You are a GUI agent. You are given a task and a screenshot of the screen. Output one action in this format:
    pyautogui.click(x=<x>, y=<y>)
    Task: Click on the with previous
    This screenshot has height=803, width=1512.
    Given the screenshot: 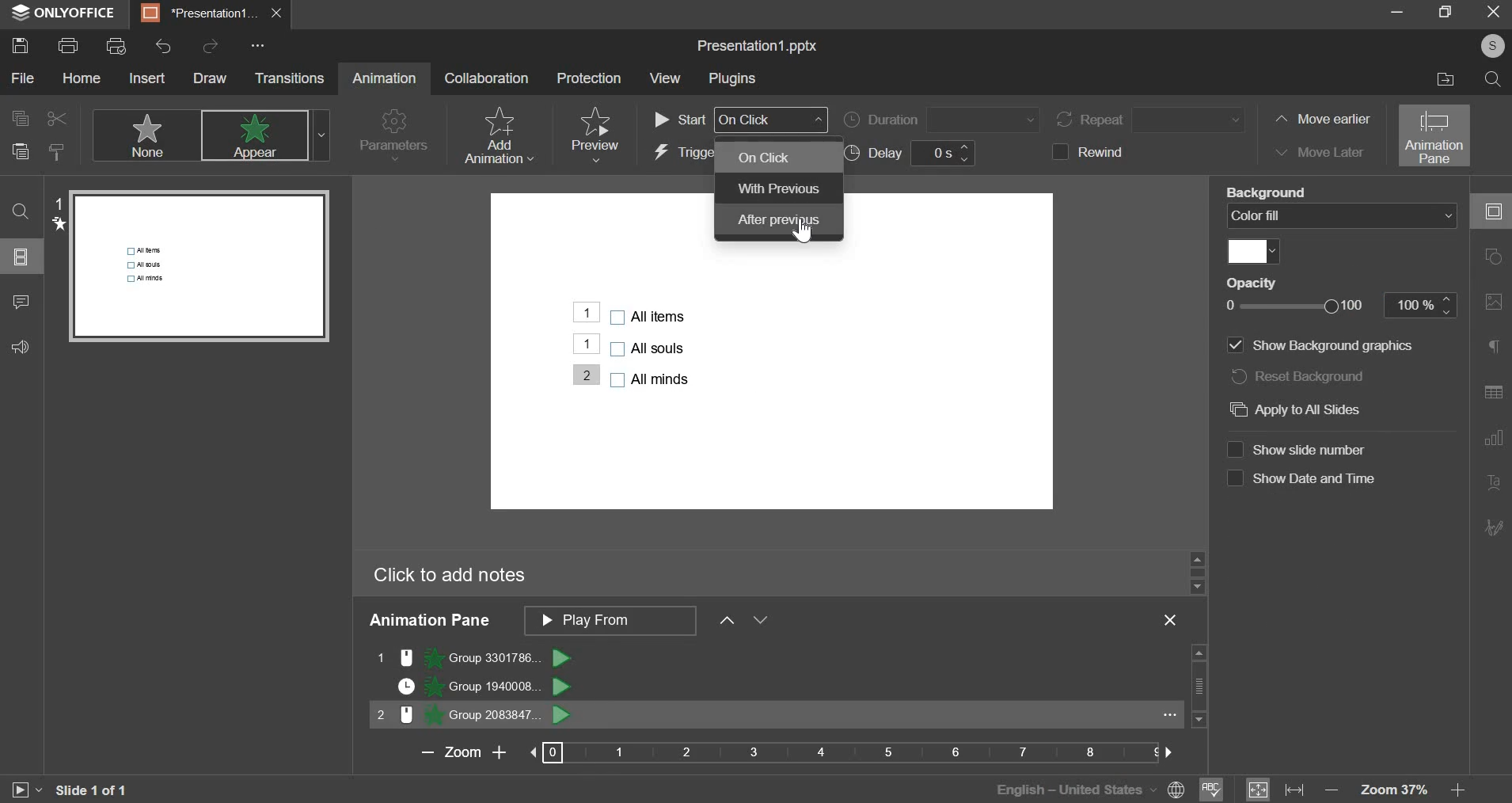 What is the action you would take?
    pyautogui.click(x=777, y=188)
    